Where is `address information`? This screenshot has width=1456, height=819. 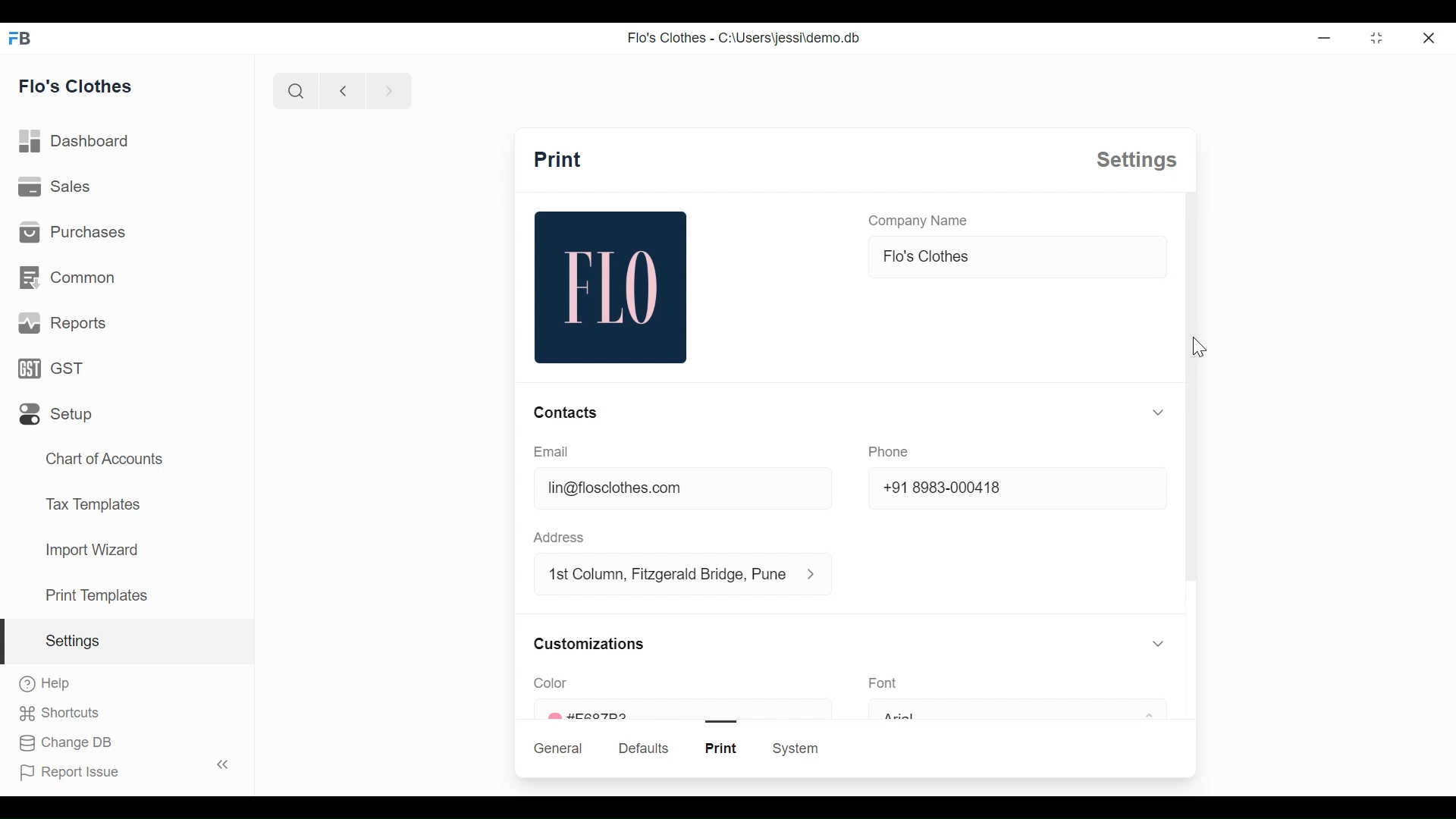
address information is located at coordinates (814, 574).